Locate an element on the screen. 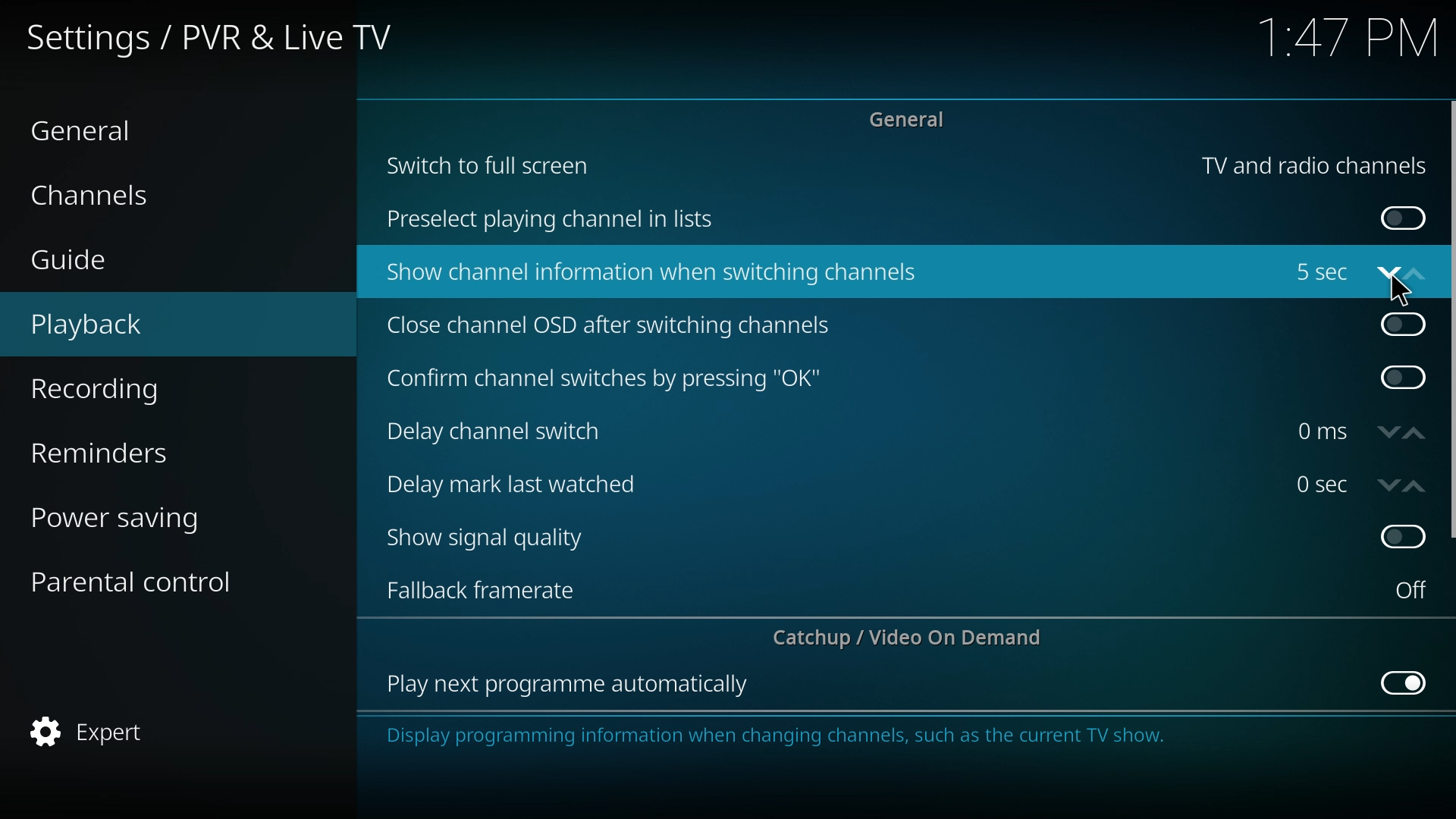 The height and width of the screenshot is (819, 1456). tv and radio channels is located at coordinates (1313, 166).